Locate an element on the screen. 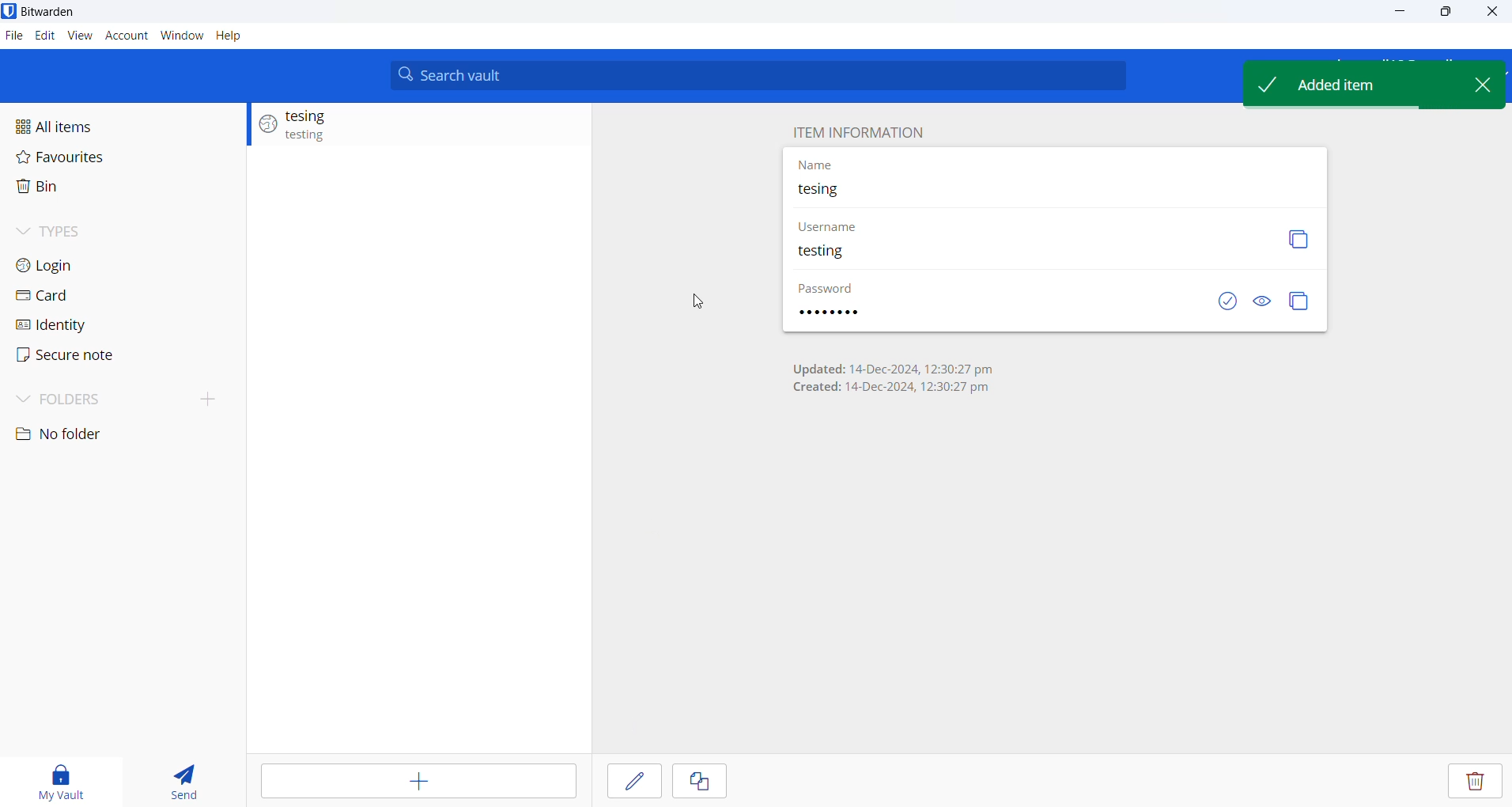 The image size is (1512, 807). secure note is located at coordinates (63, 355).